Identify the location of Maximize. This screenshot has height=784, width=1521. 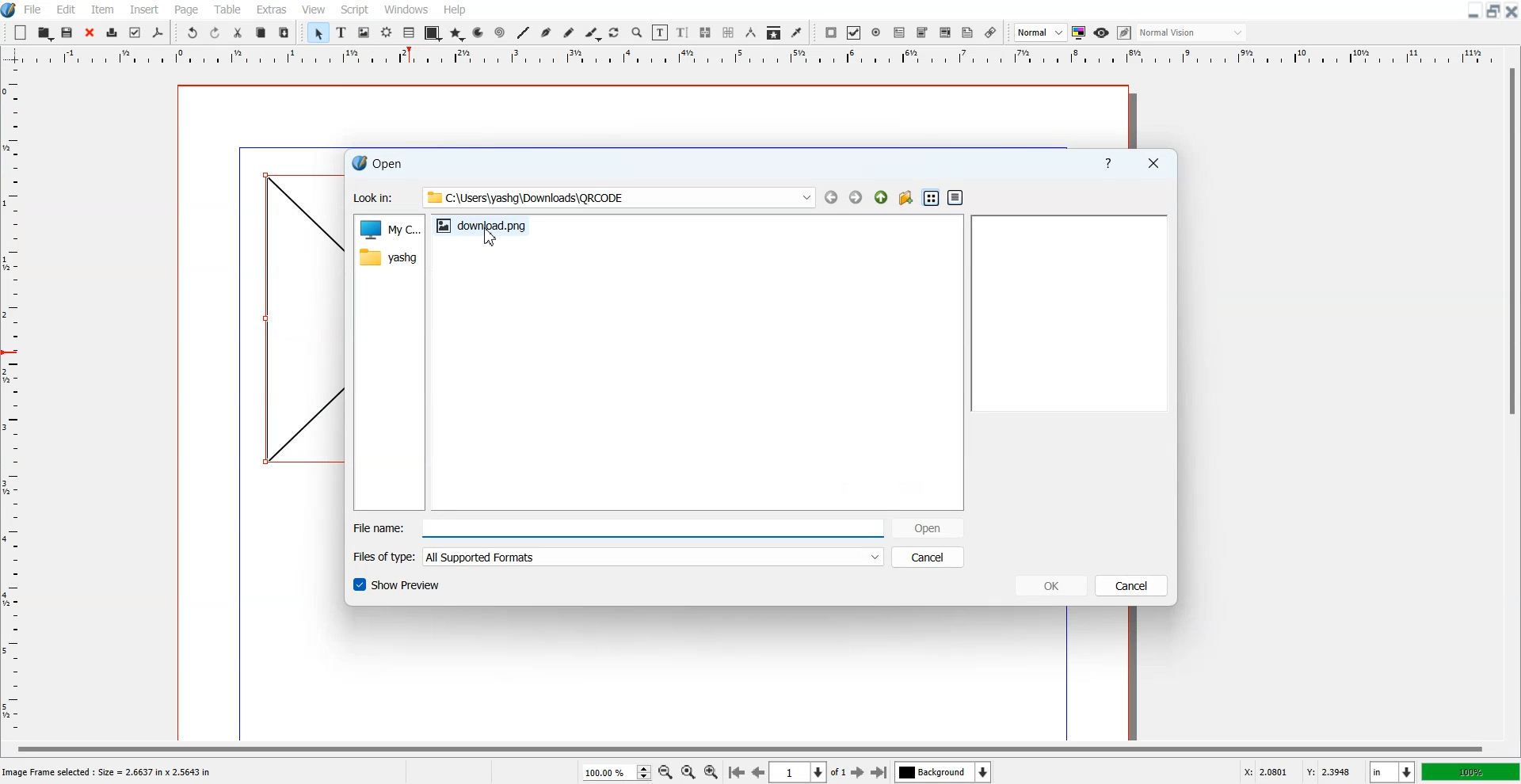
(1492, 11).